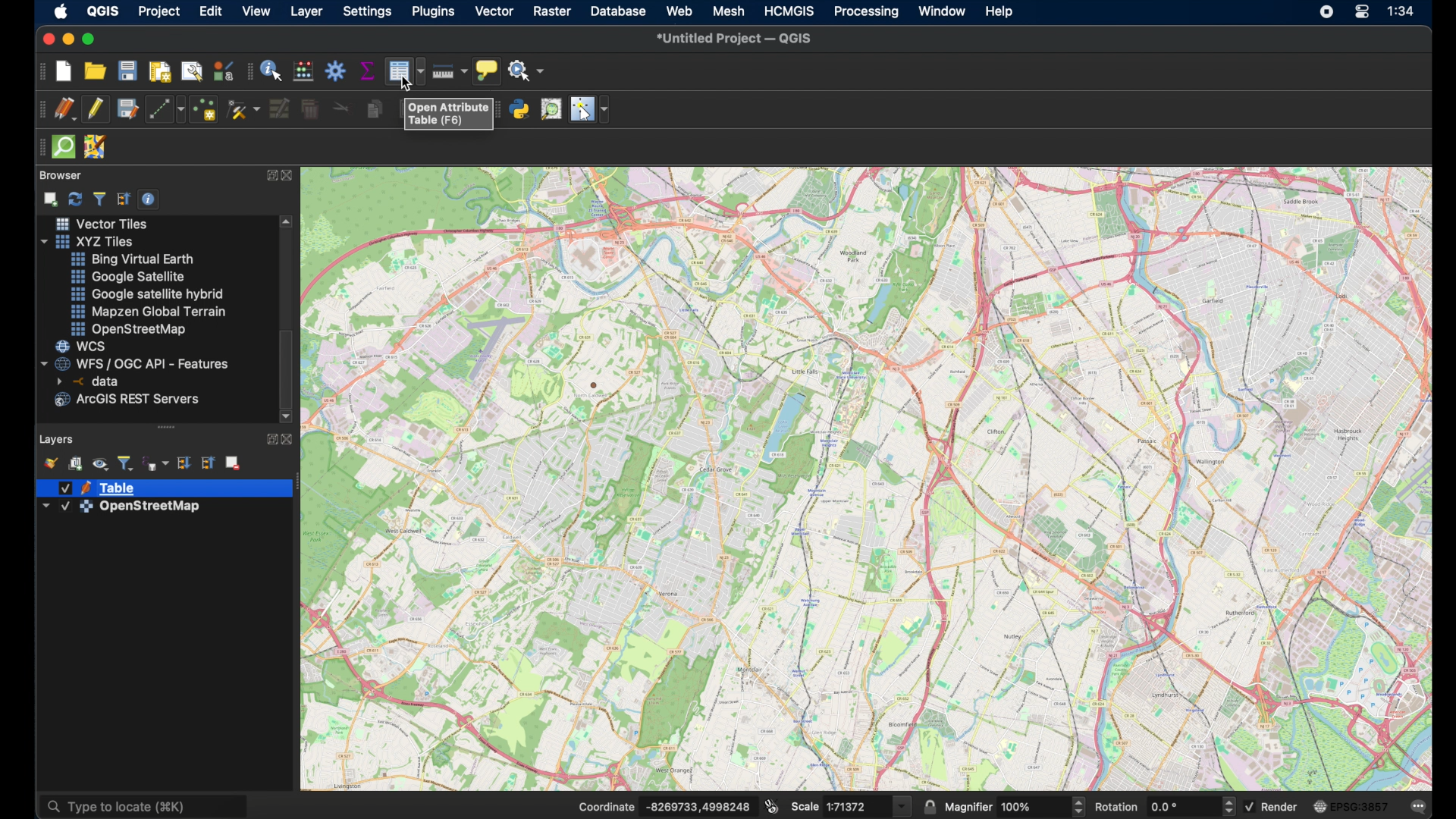 The height and width of the screenshot is (819, 1456). I want to click on cursor, so click(408, 84).